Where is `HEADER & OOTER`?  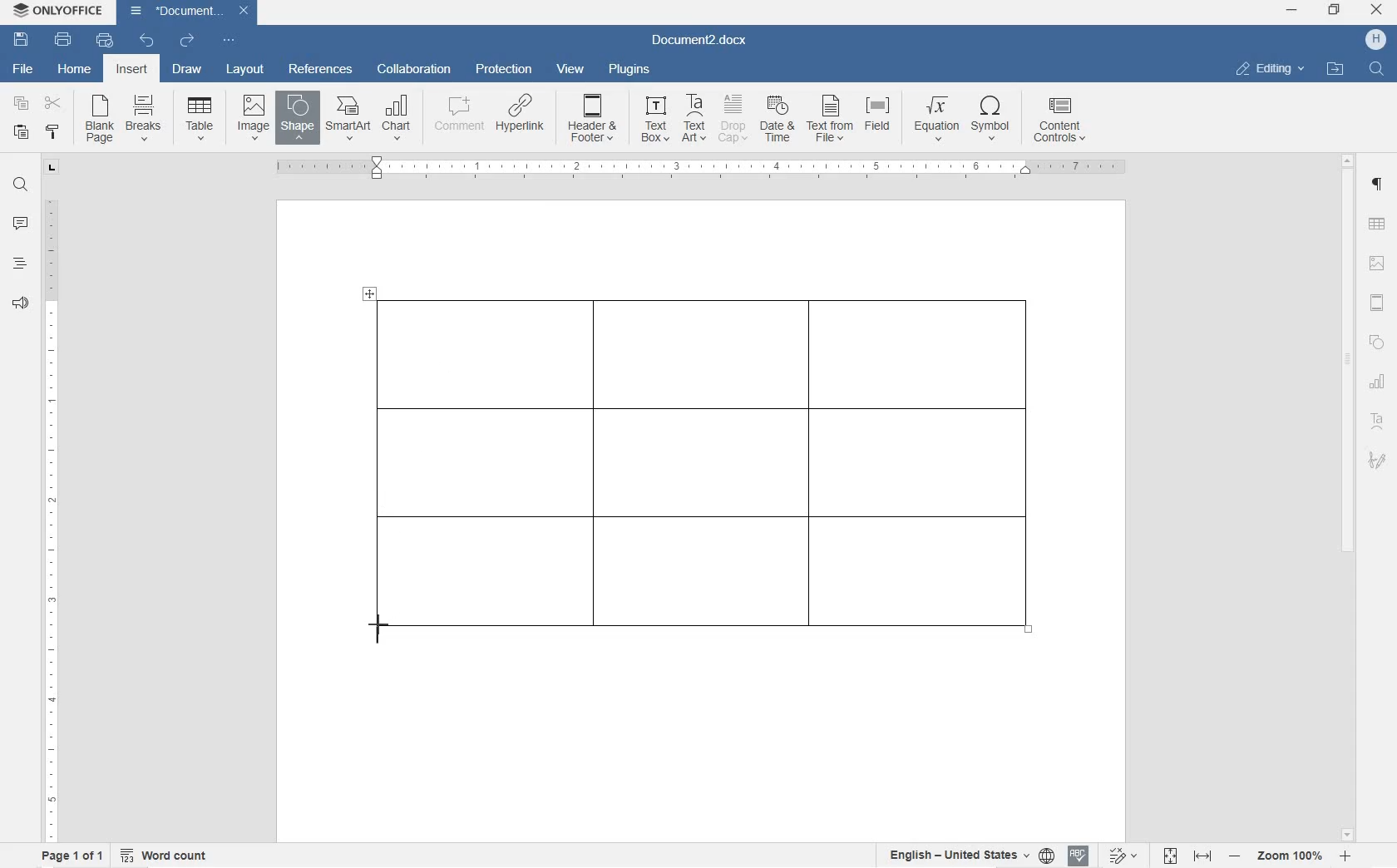
HEADER & OOTER is located at coordinates (593, 119).